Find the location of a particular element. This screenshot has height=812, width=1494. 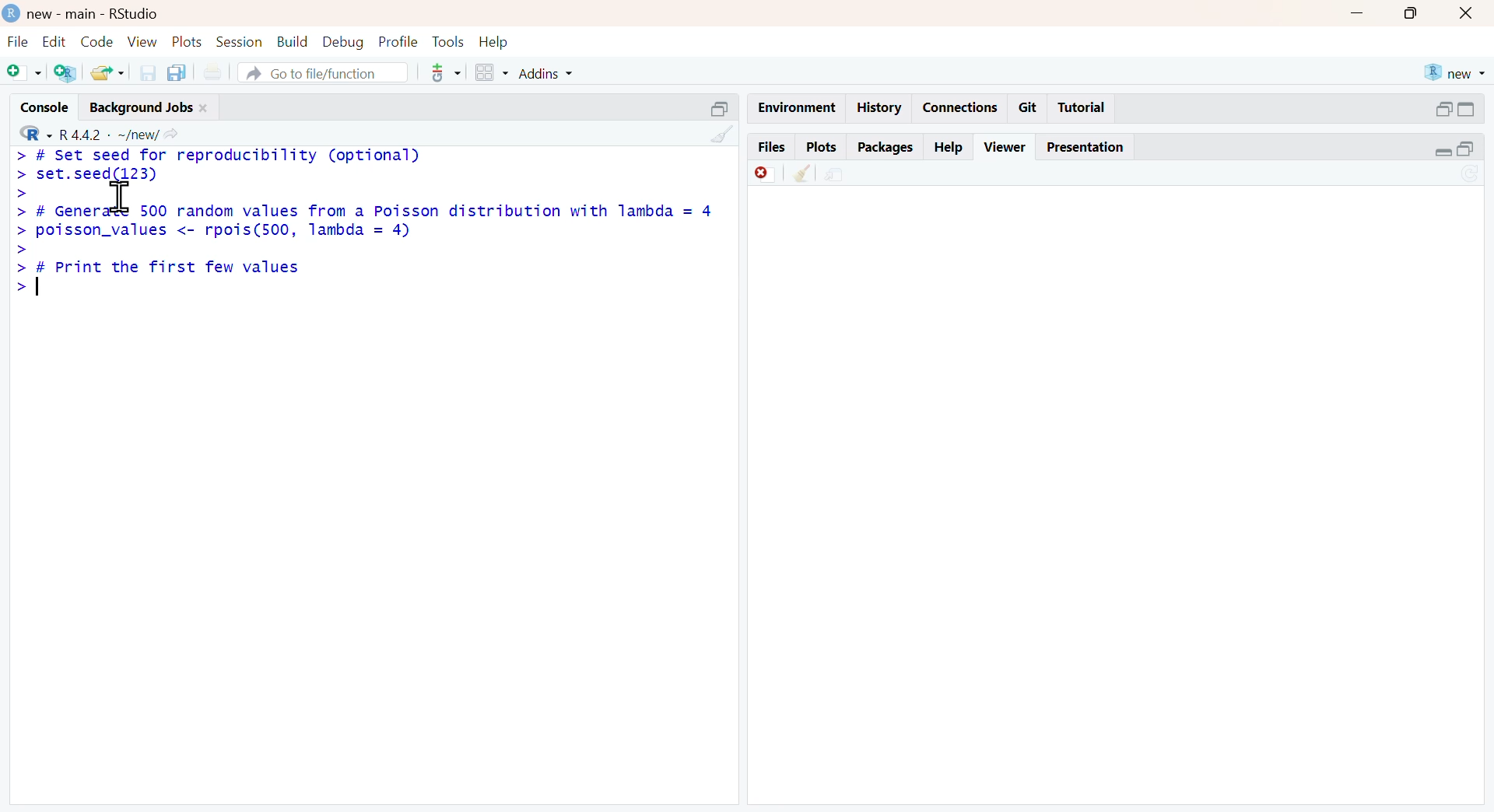

> # set seed for reproducibility (optional)
set.seed(123) is located at coordinates (219, 166).